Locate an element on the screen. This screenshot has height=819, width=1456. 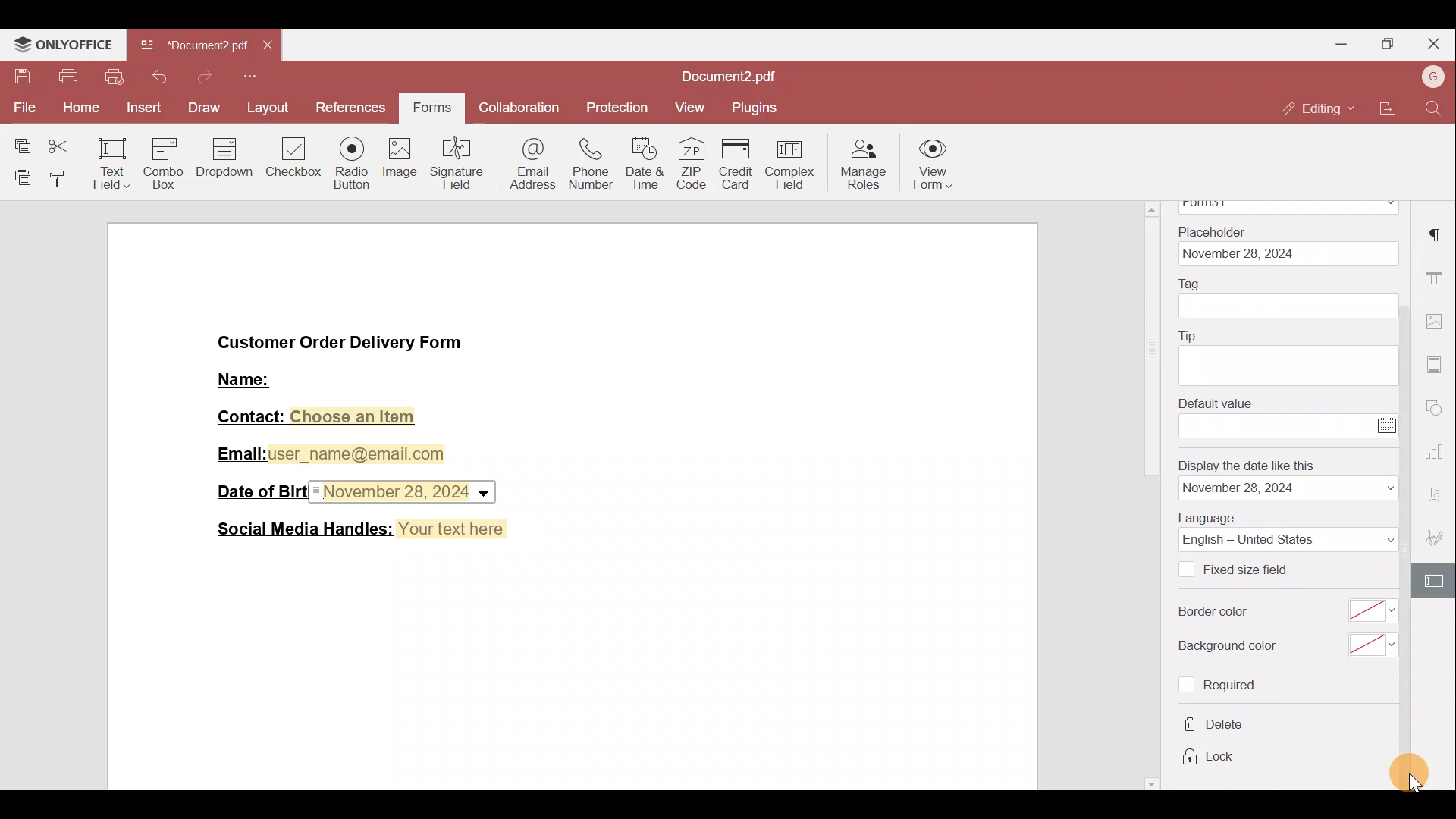
Editing mode is located at coordinates (1313, 108).